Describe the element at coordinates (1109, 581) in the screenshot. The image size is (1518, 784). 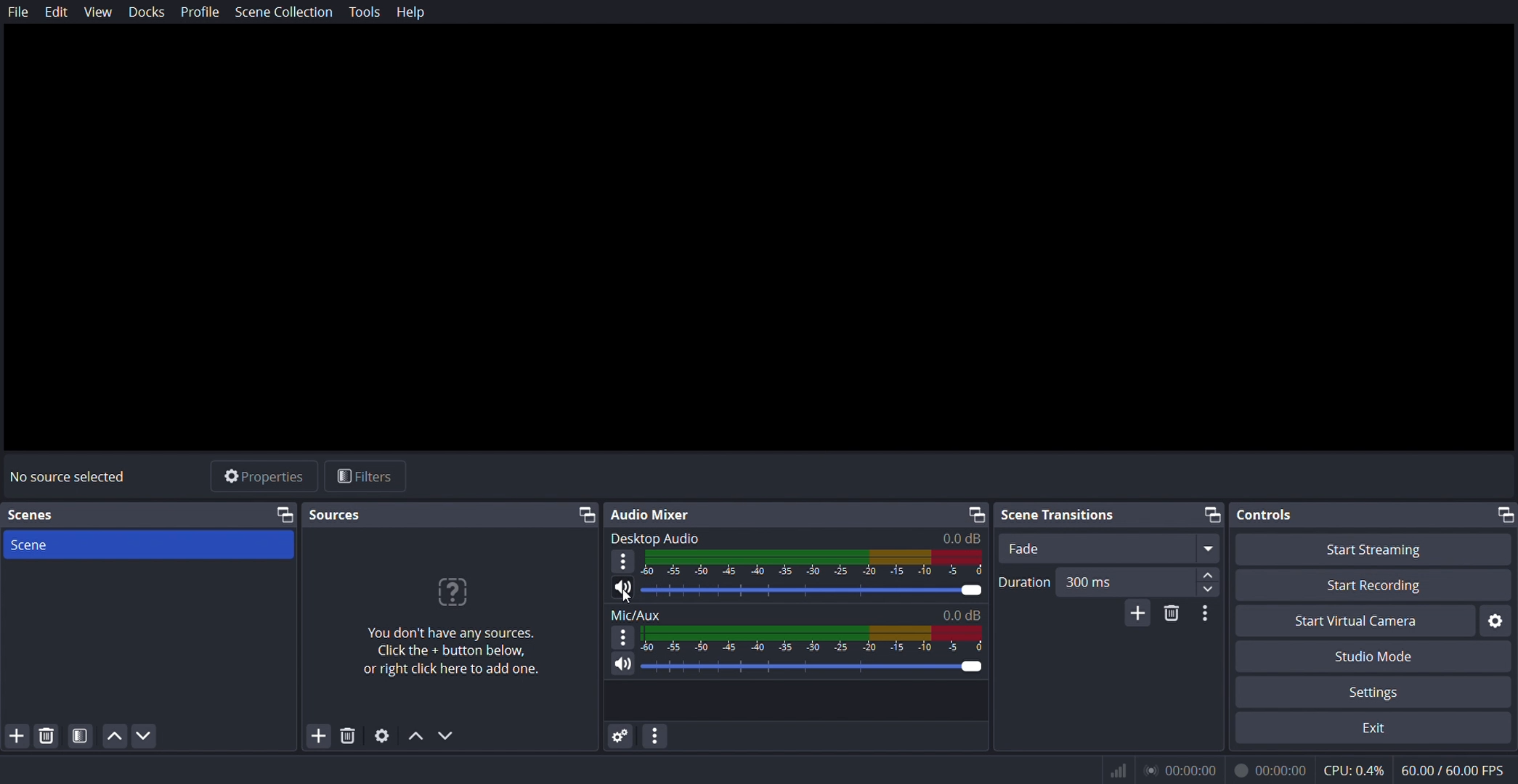
I see `duration` at that location.